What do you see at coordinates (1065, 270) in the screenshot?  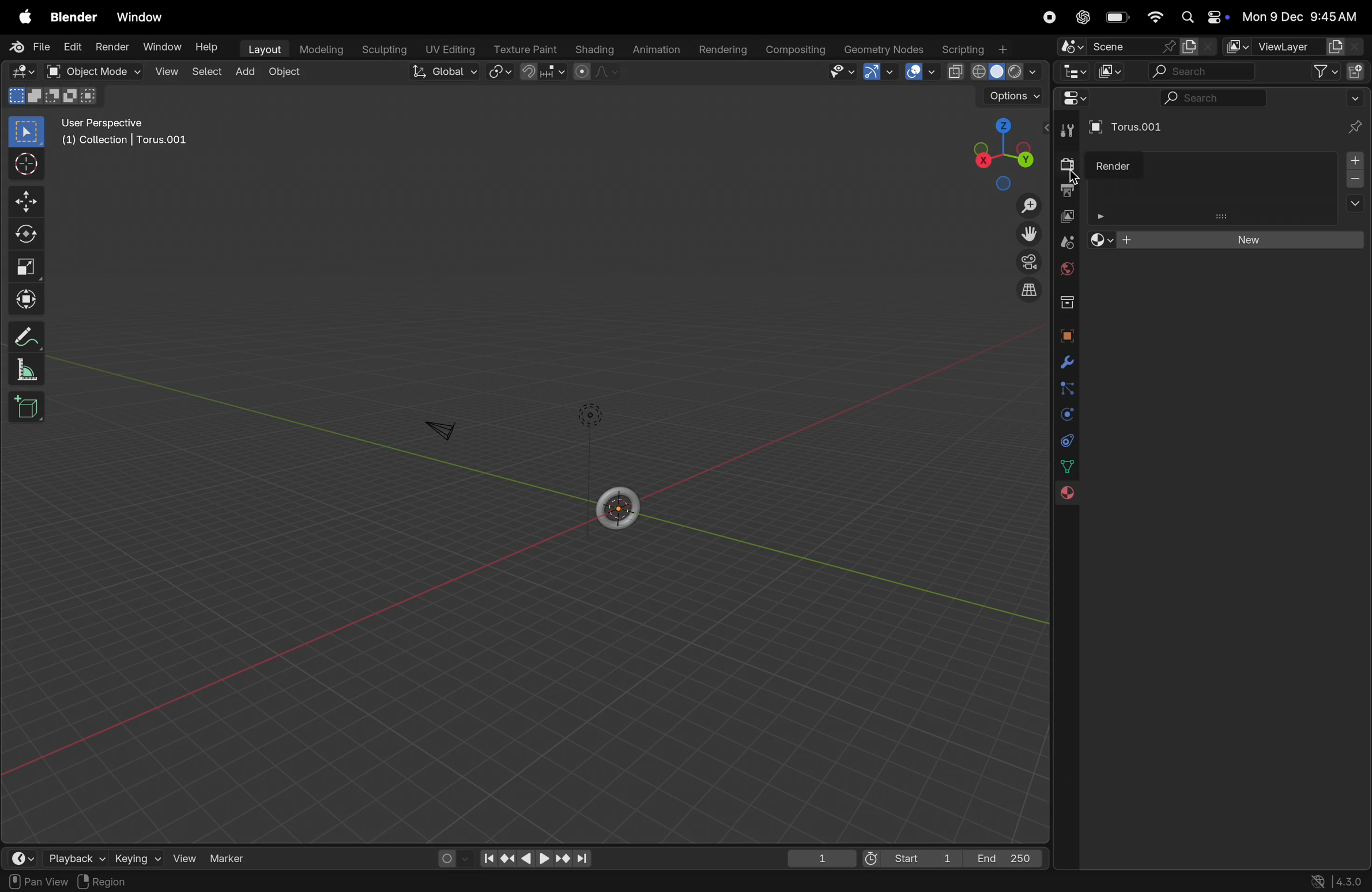 I see `world` at bounding box center [1065, 270].